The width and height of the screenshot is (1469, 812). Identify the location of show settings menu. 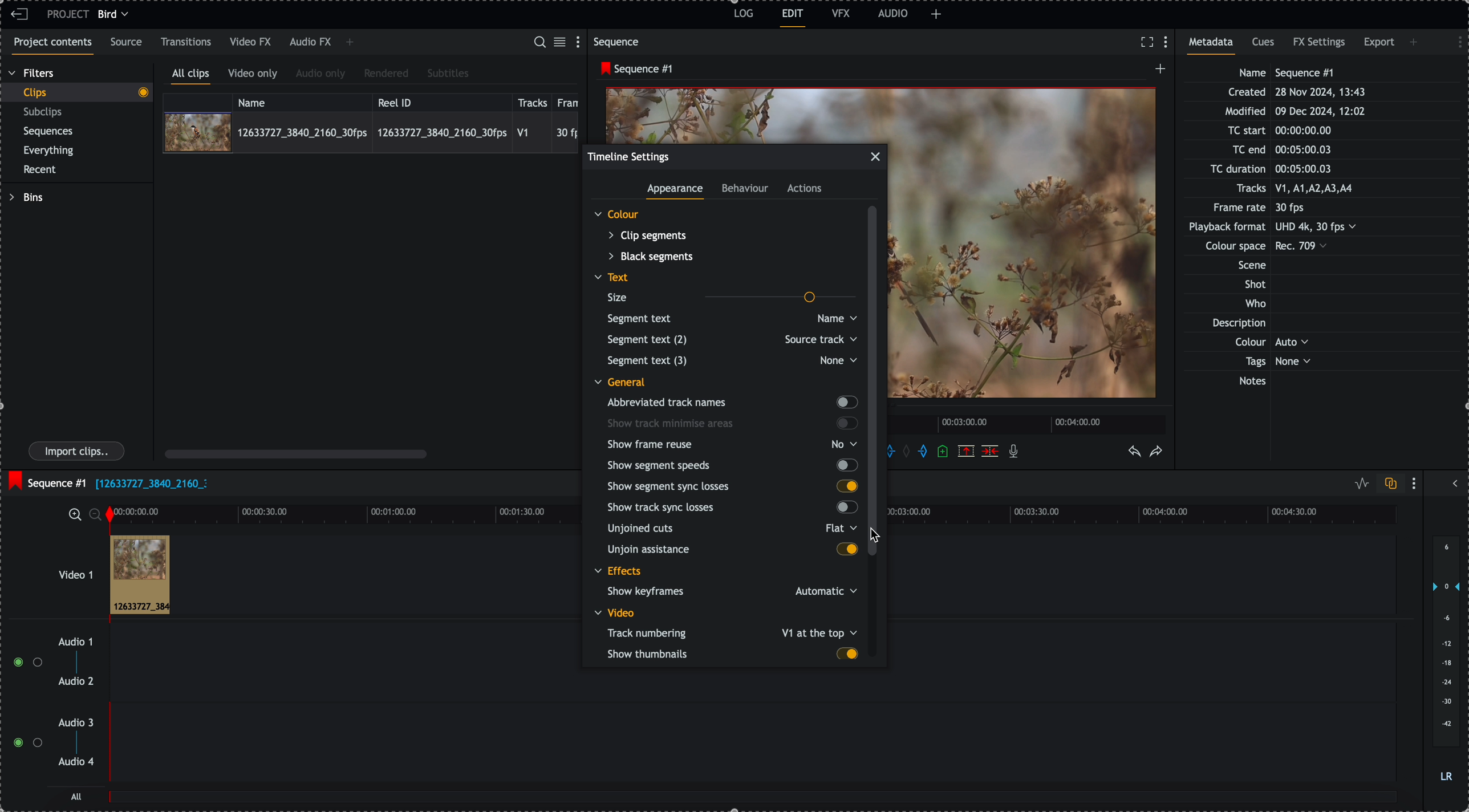
(581, 41).